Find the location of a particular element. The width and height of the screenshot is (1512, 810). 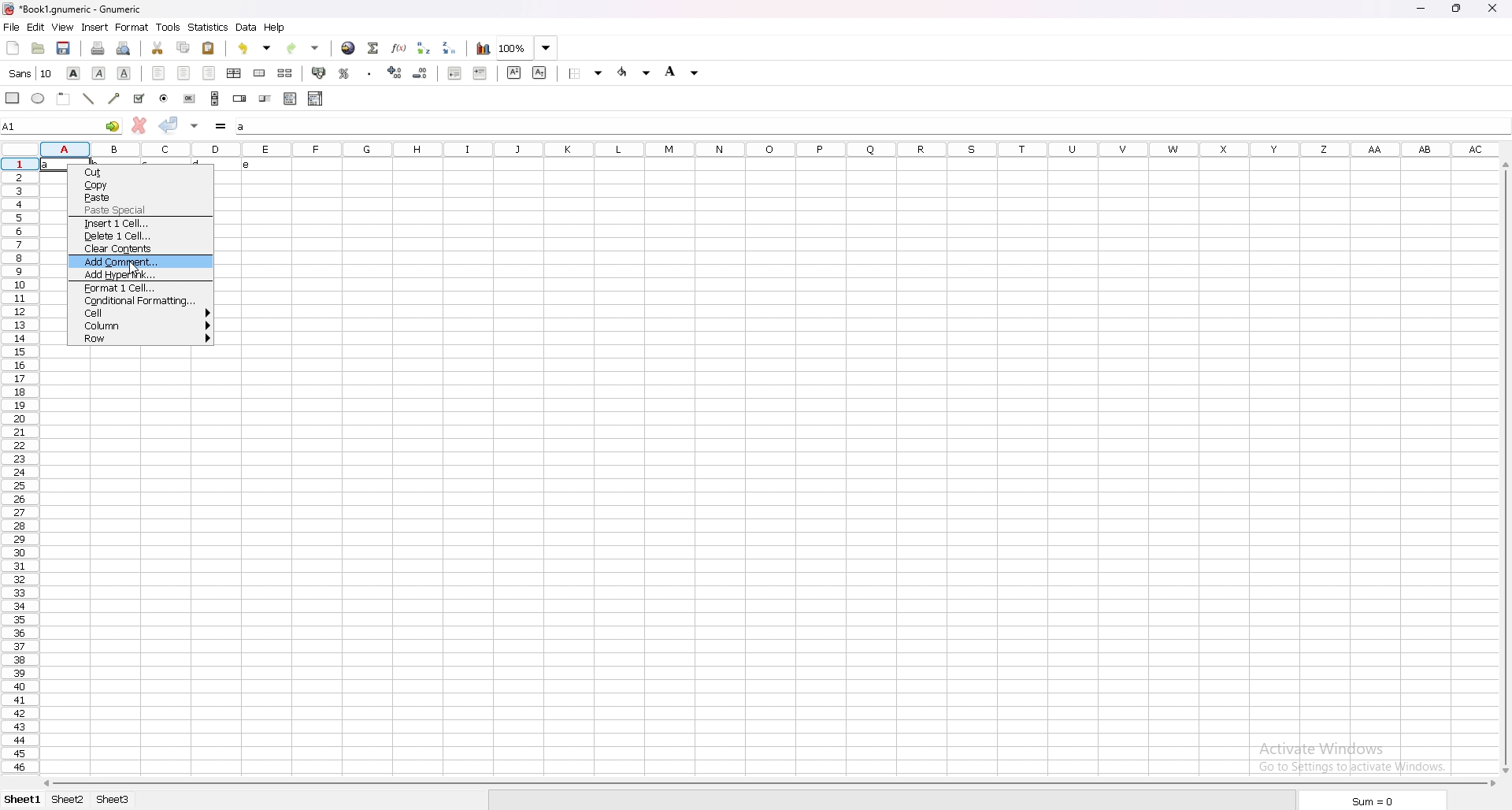

subscript is located at coordinates (539, 73).